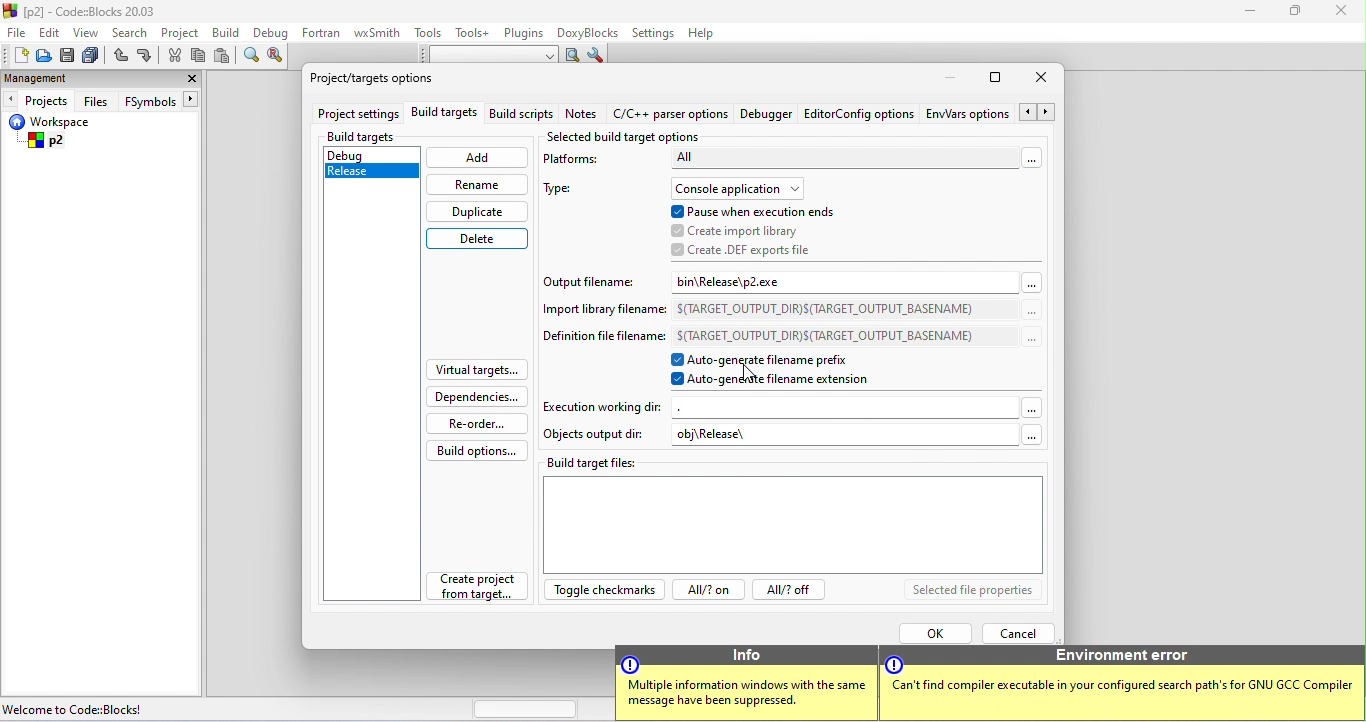  Describe the element at coordinates (184, 33) in the screenshot. I see `project` at that location.